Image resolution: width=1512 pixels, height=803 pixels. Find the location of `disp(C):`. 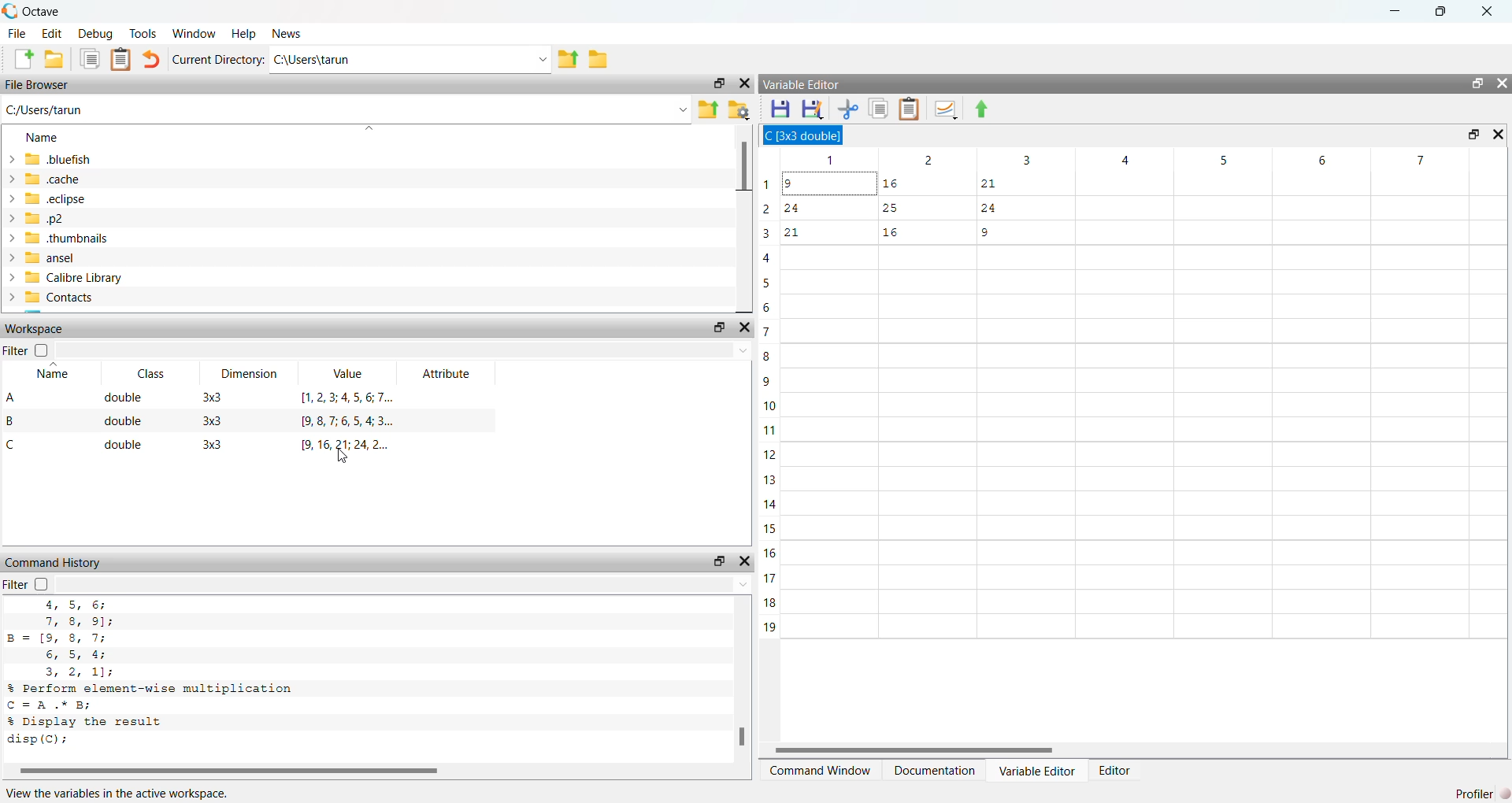

disp(C): is located at coordinates (39, 741).